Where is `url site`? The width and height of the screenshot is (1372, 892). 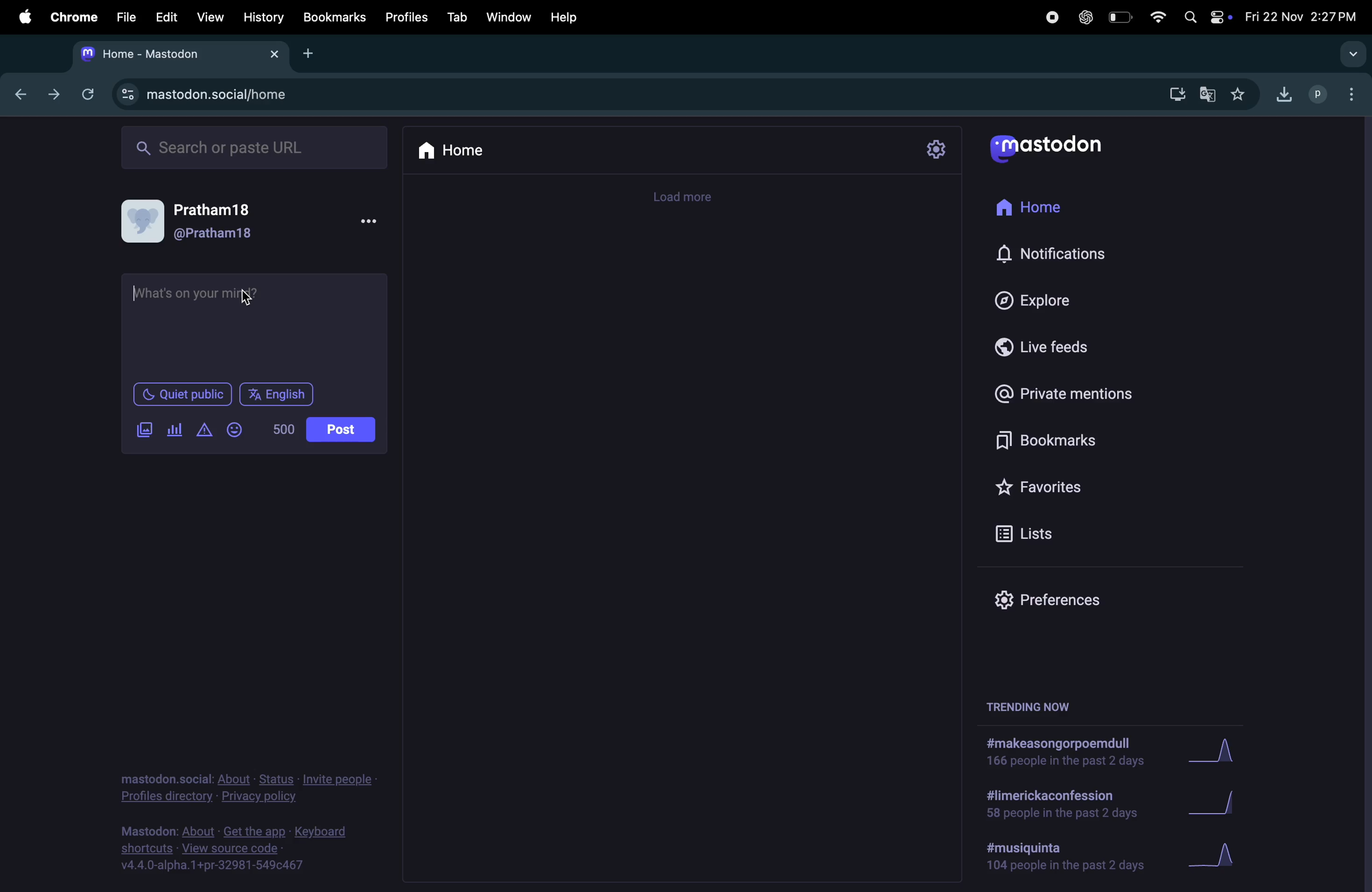
url site is located at coordinates (211, 97).